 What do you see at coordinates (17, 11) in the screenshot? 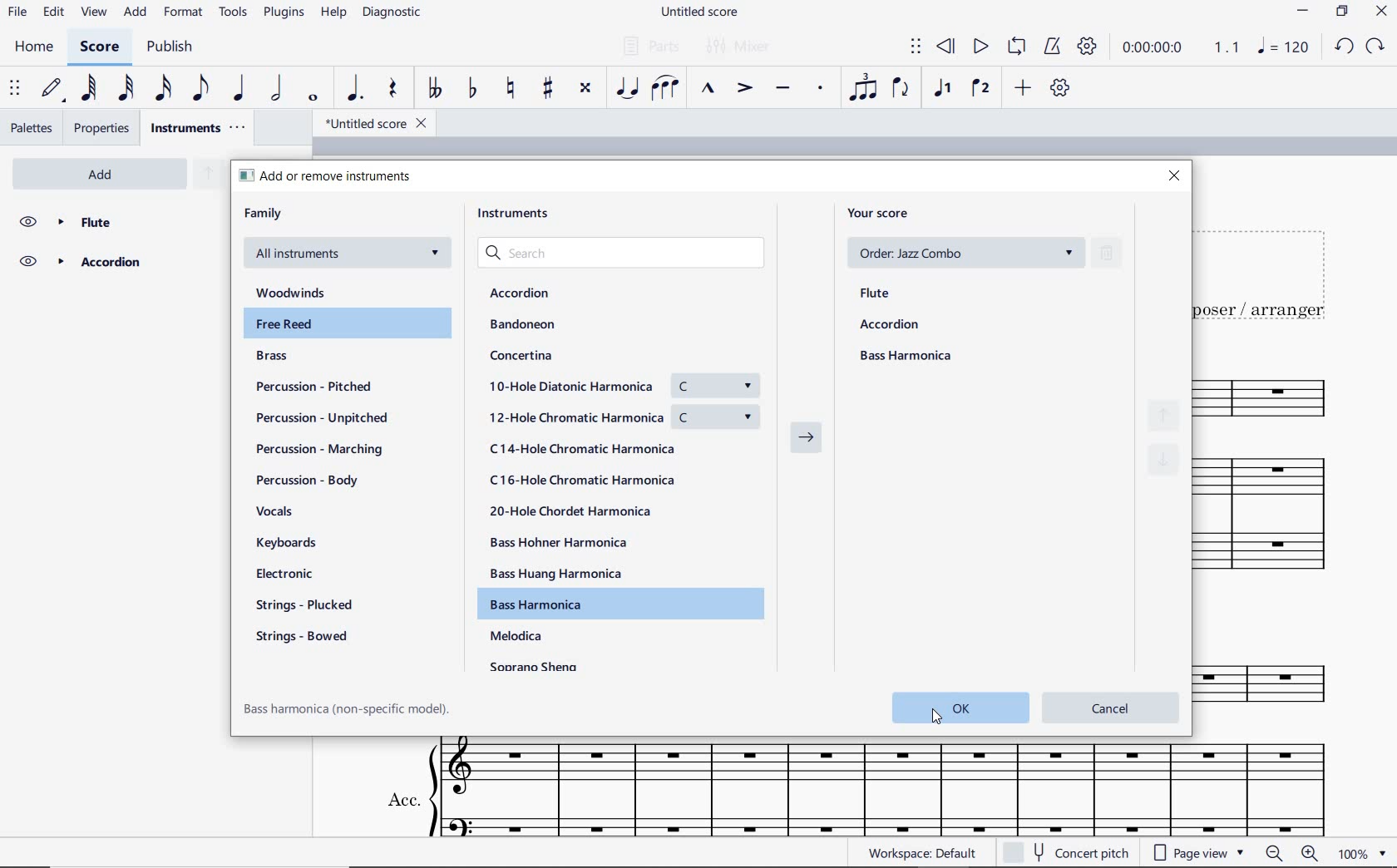
I see `FILE` at bounding box center [17, 11].